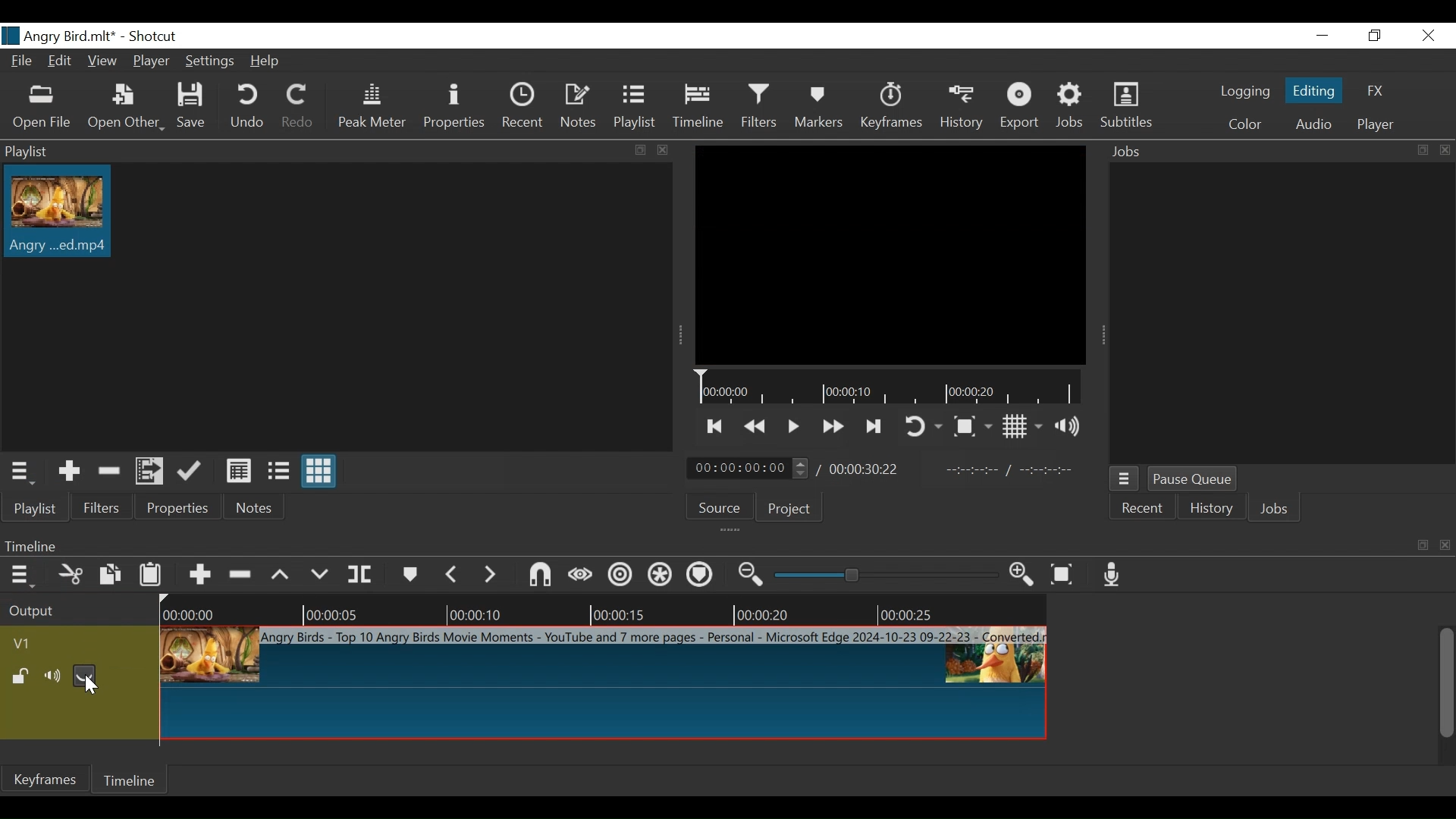  I want to click on Toggle player looping, so click(923, 427).